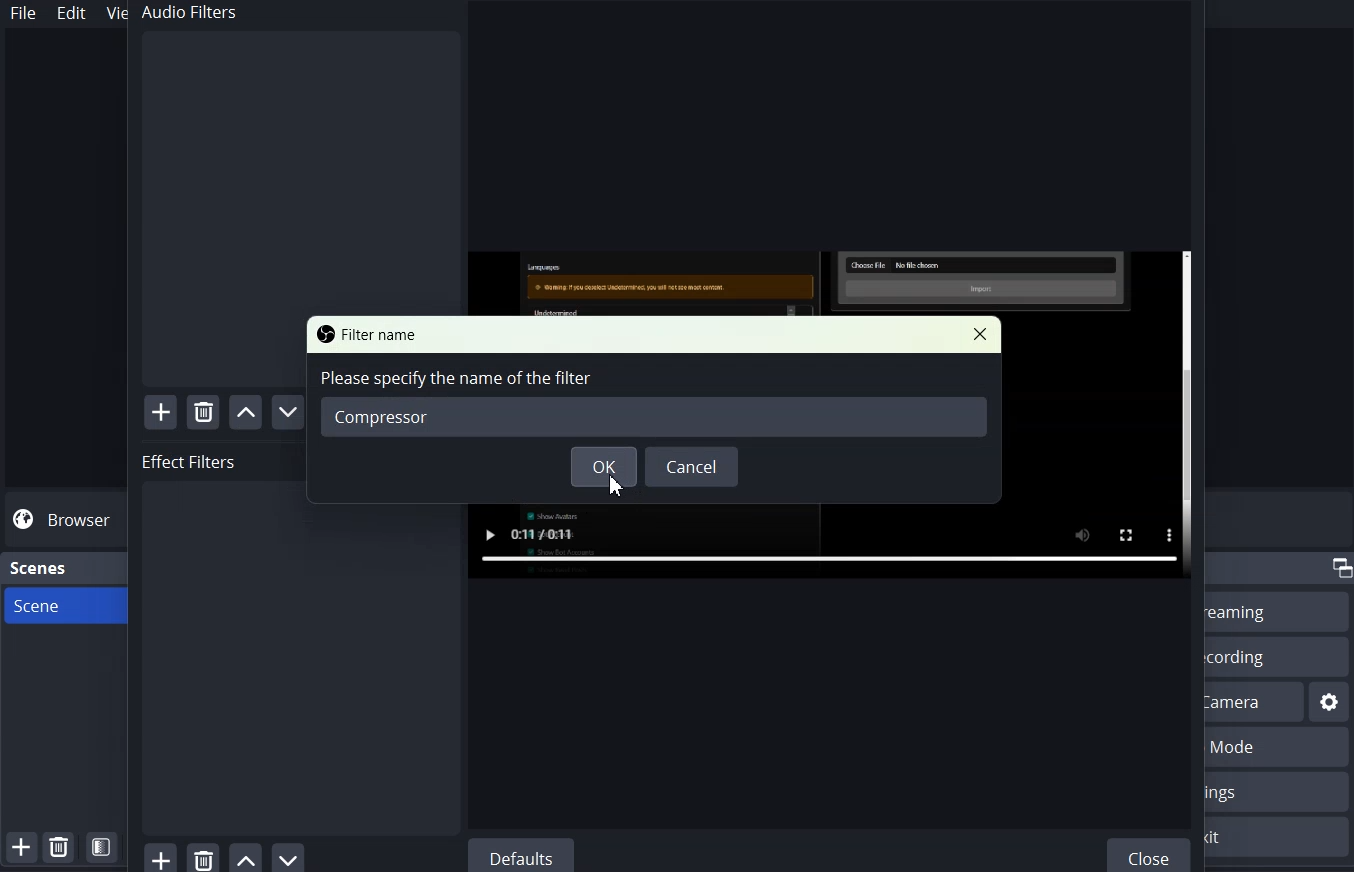  I want to click on File Preview, so click(832, 542).